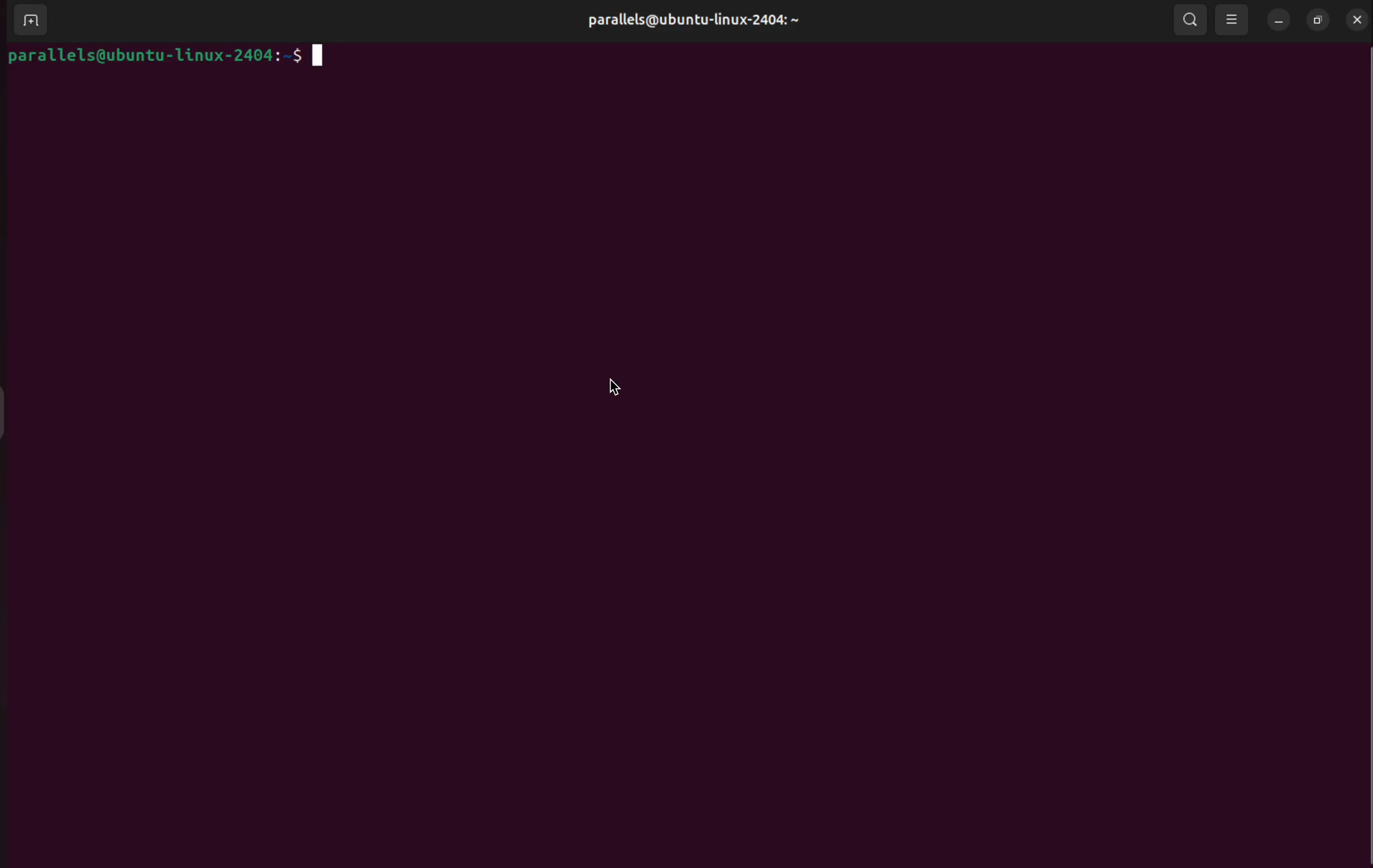  What do you see at coordinates (30, 22) in the screenshot?
I see `add terminal` at bounding box center [30, 22].